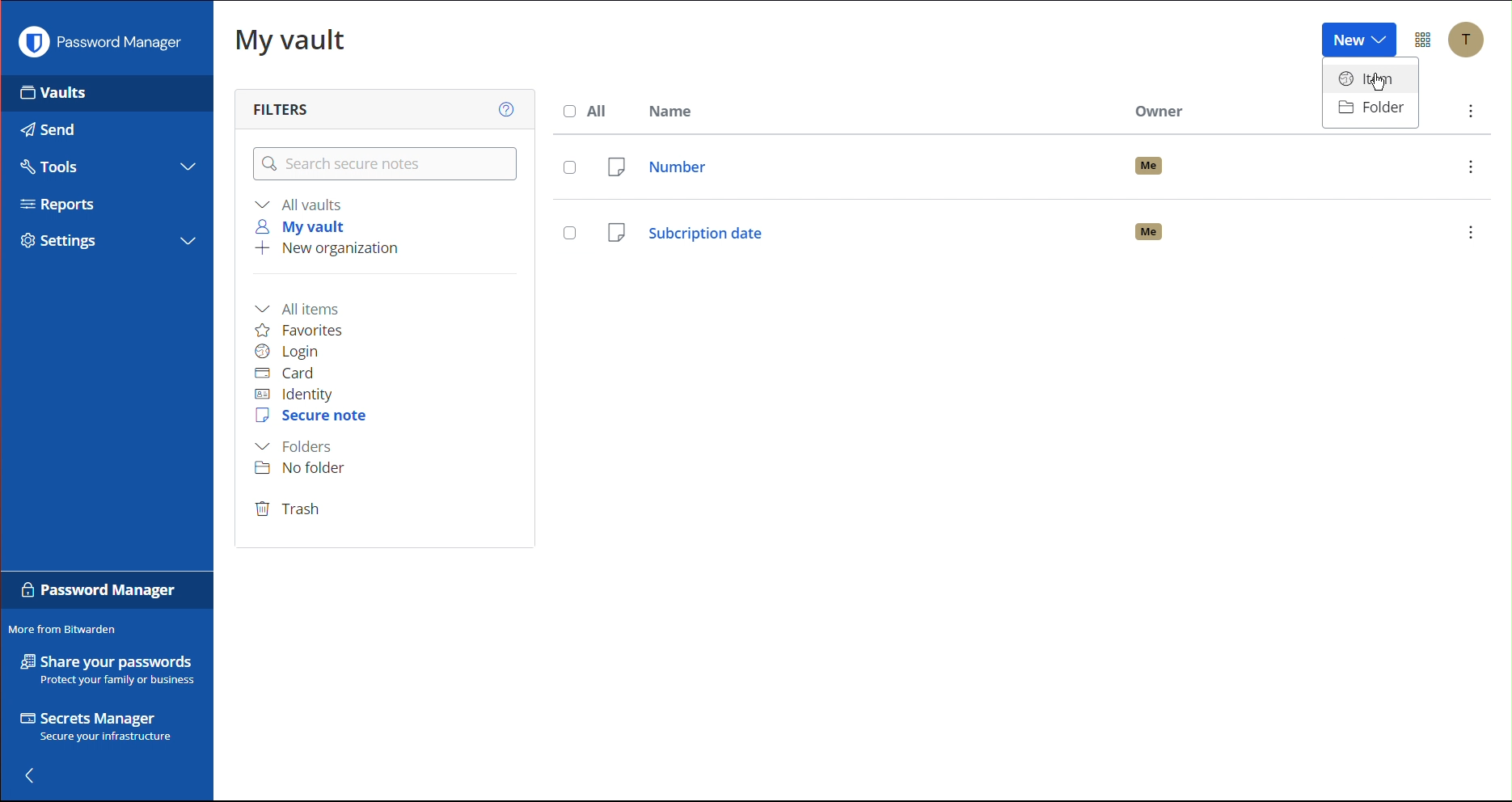  I want to click on All vaults, so click(302, 204).